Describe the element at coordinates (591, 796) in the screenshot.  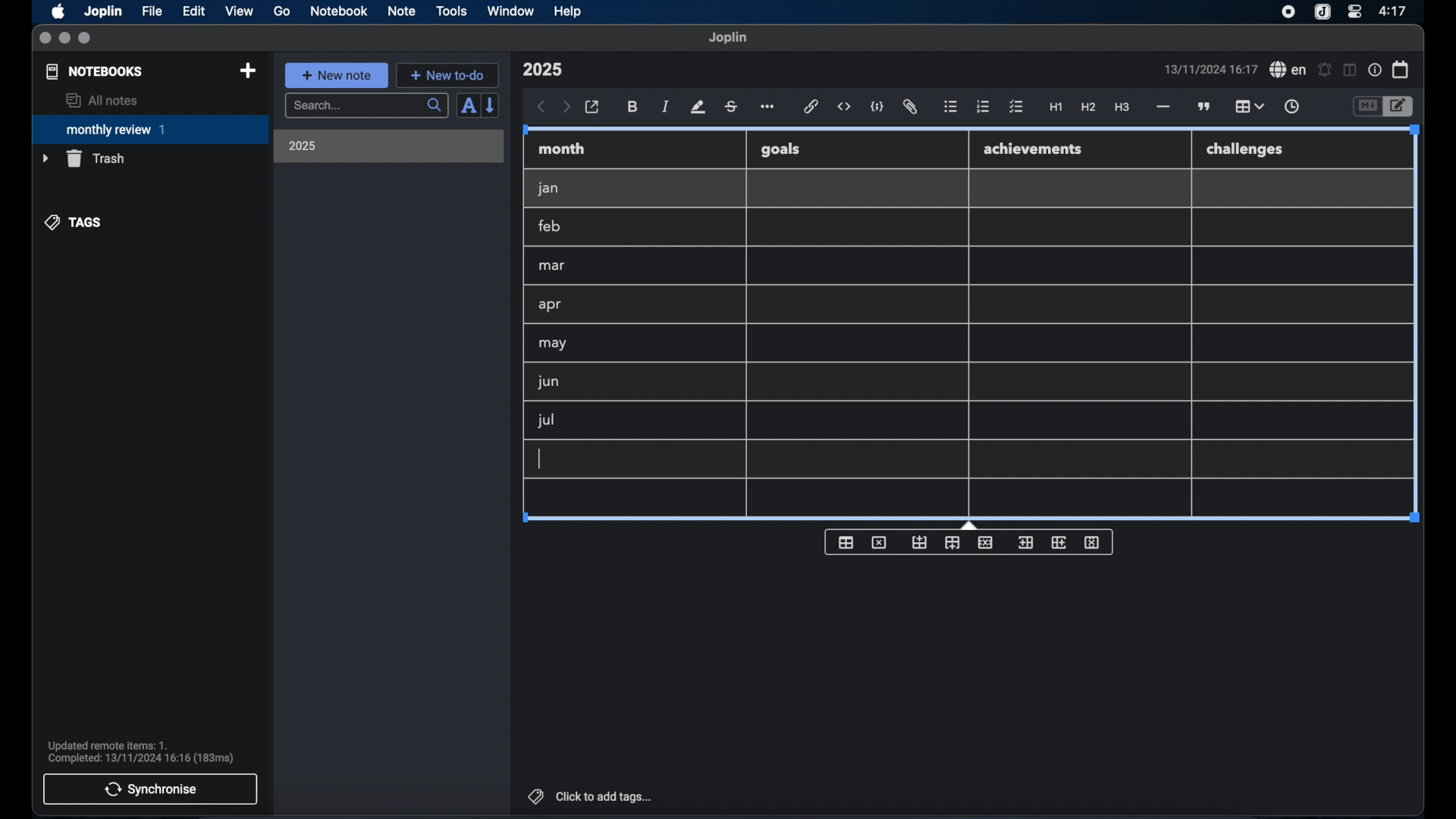
I see `click to add tags` at that location.